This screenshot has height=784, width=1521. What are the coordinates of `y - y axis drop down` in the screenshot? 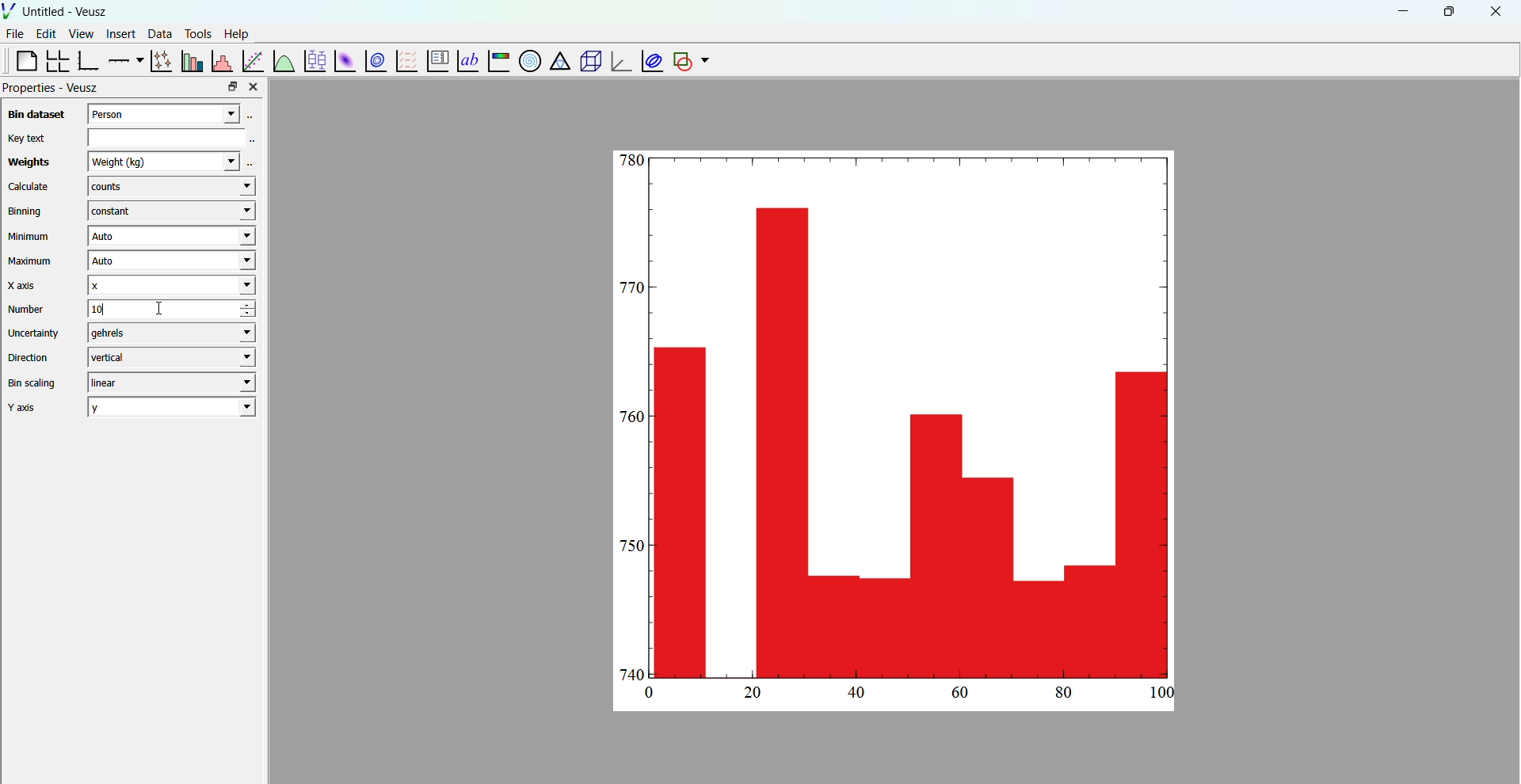 It's located at (172, 407).